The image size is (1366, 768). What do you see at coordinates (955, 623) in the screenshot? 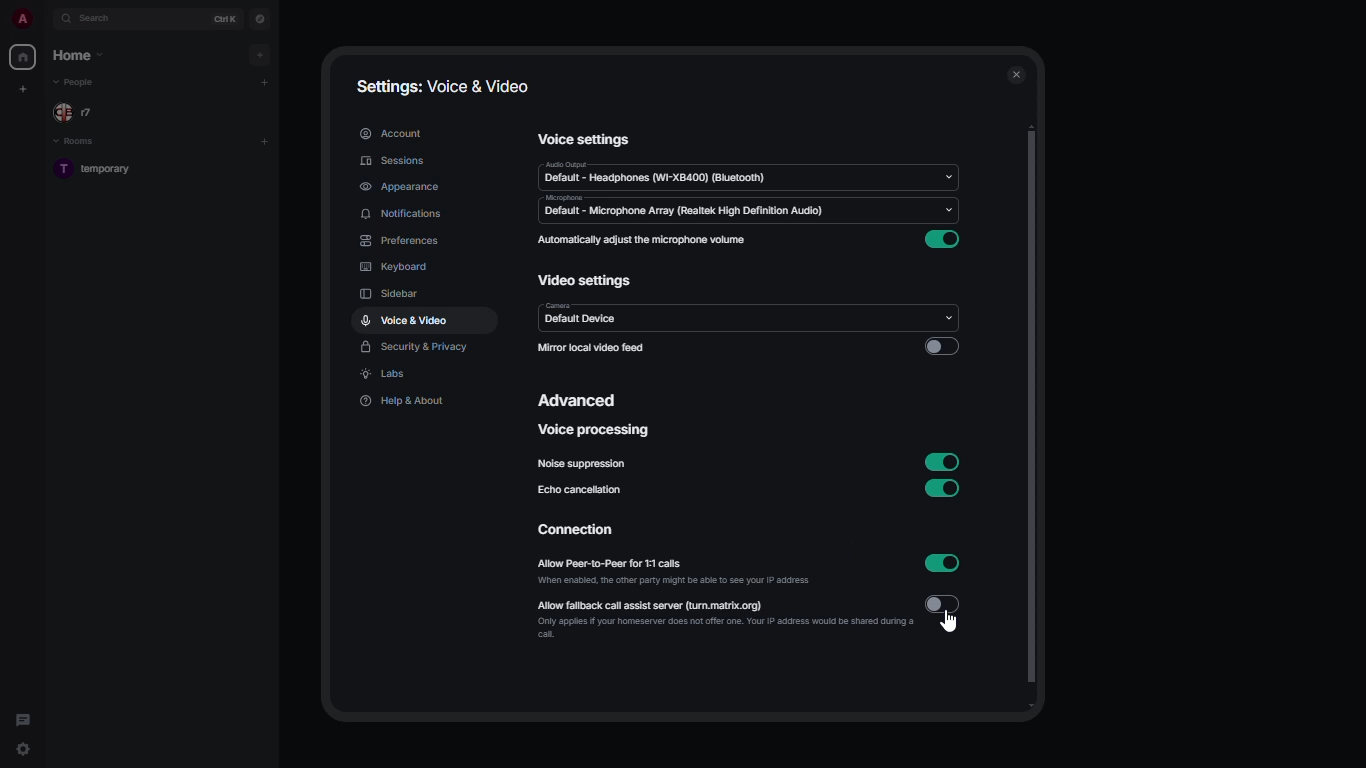
I see `cursor` at bounding box center [955, 623].